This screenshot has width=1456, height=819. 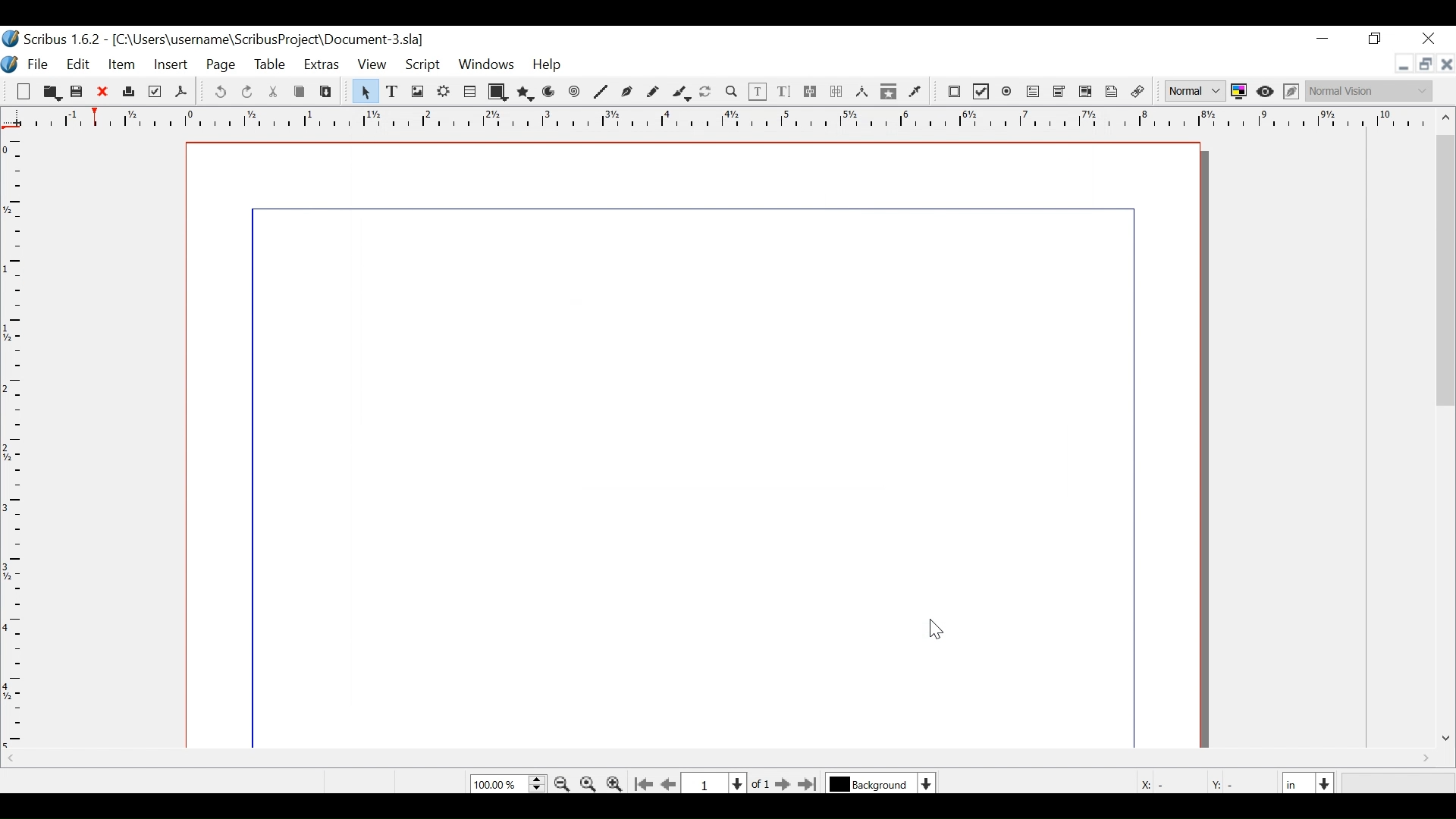 I want to click on minimize, so click(x=1325, y=42).